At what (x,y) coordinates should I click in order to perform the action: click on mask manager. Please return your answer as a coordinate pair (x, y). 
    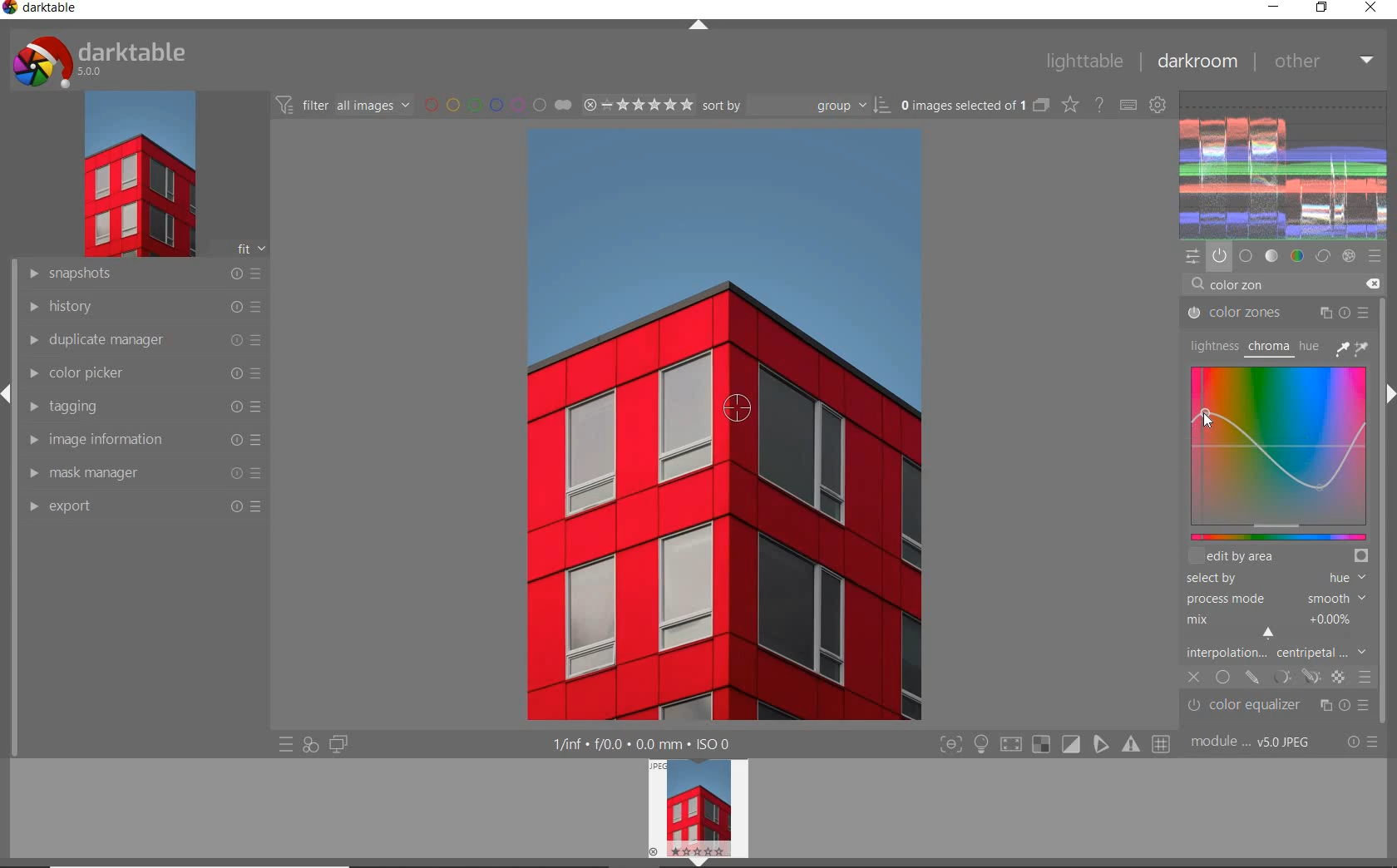
    Looking at the image, I should click on (142, 472).